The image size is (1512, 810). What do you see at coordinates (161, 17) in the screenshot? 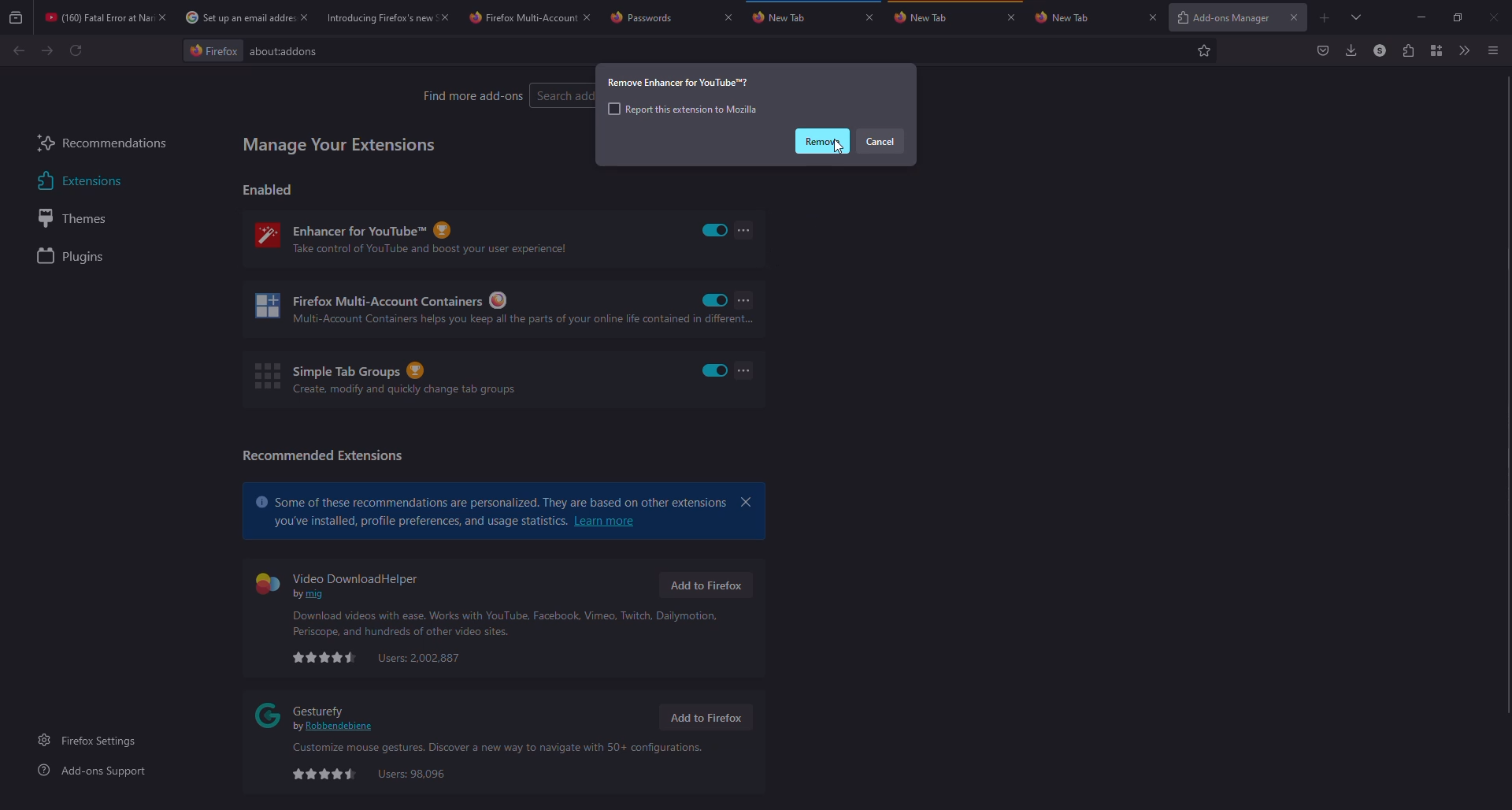
I see `Close` at bounding box center [161, 17].